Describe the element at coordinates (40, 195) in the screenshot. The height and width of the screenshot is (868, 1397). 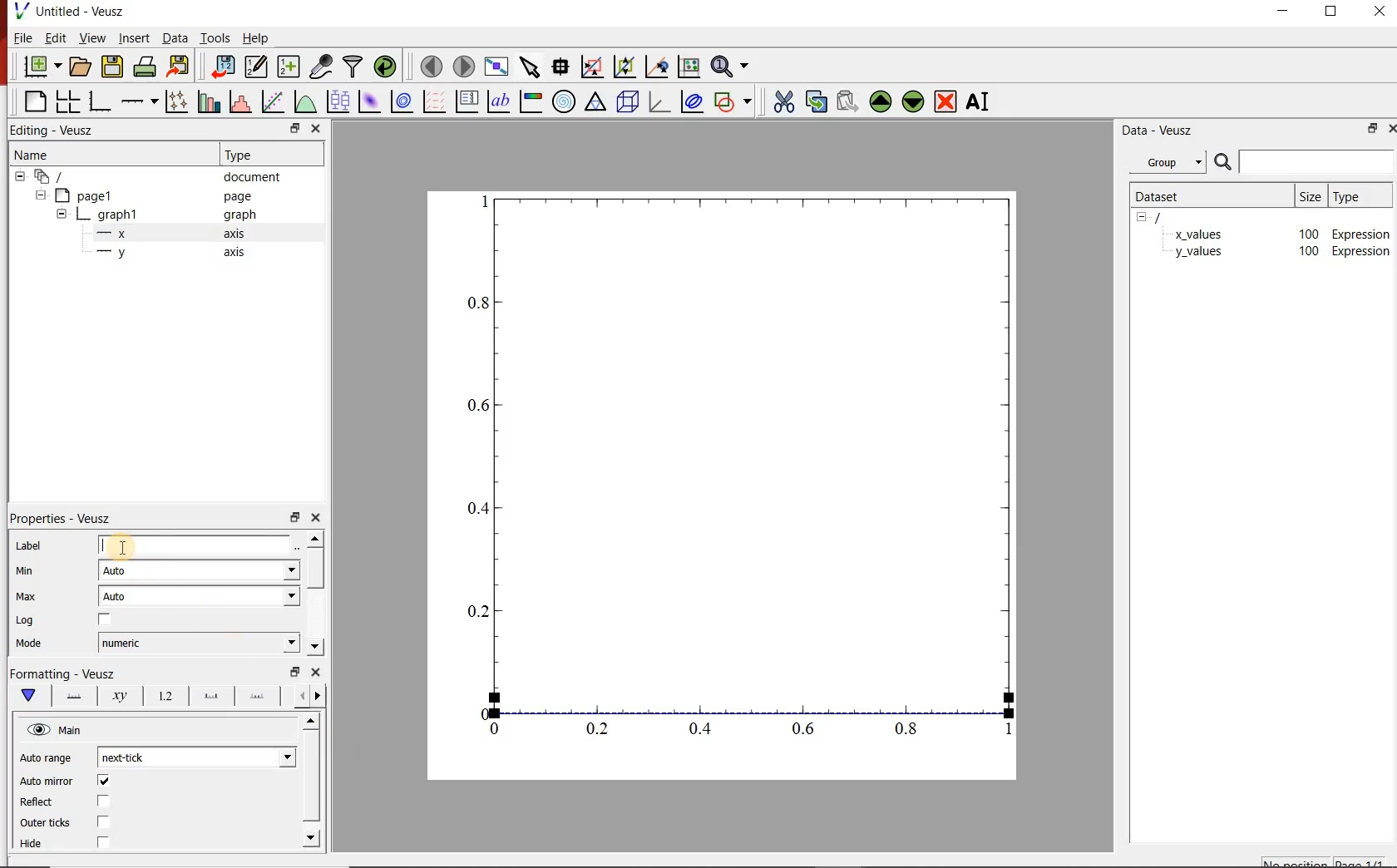
I see `hide` at that location.